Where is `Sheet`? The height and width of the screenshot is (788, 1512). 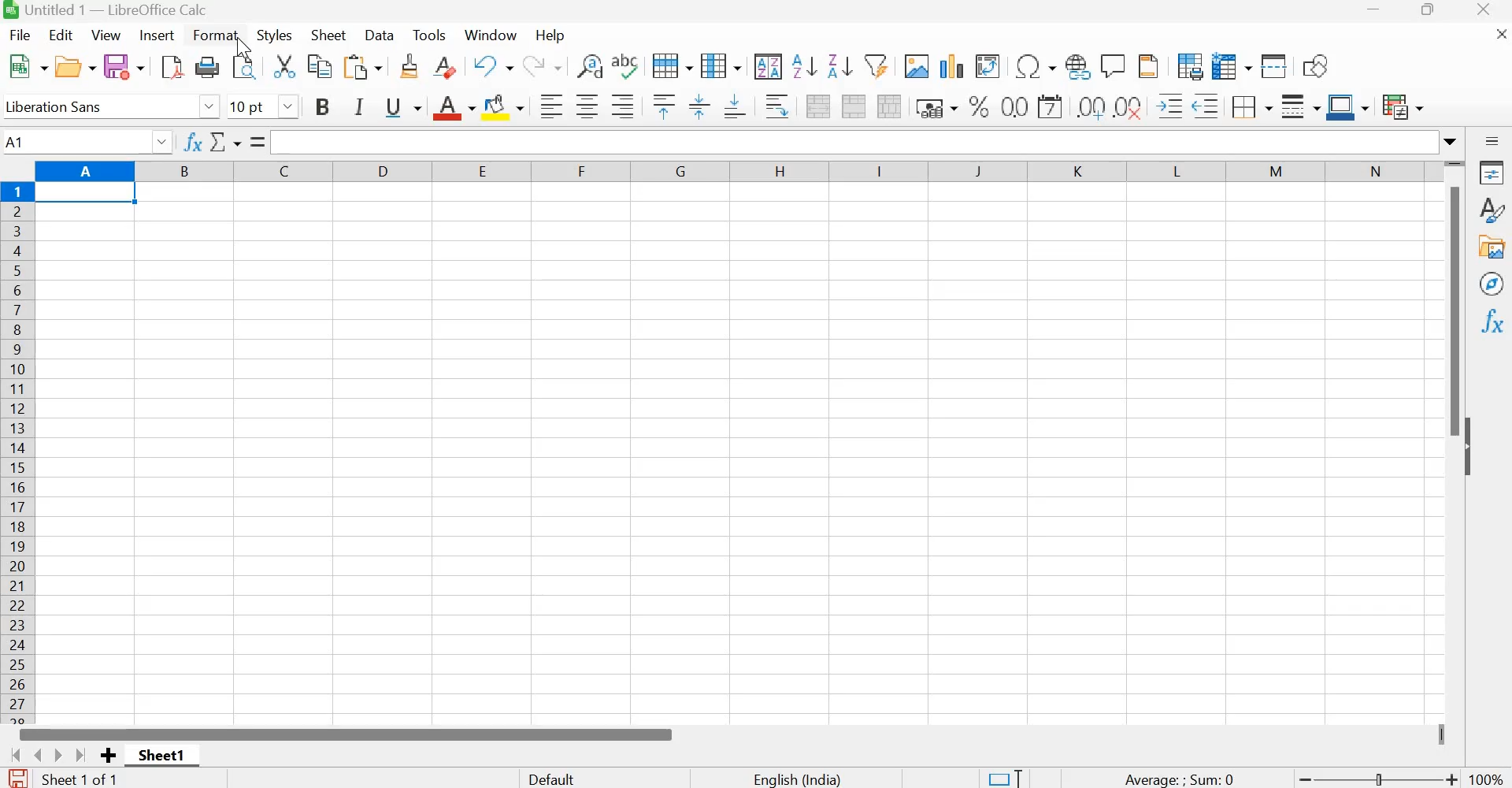 Sheet is located at coordinates (330, 34).